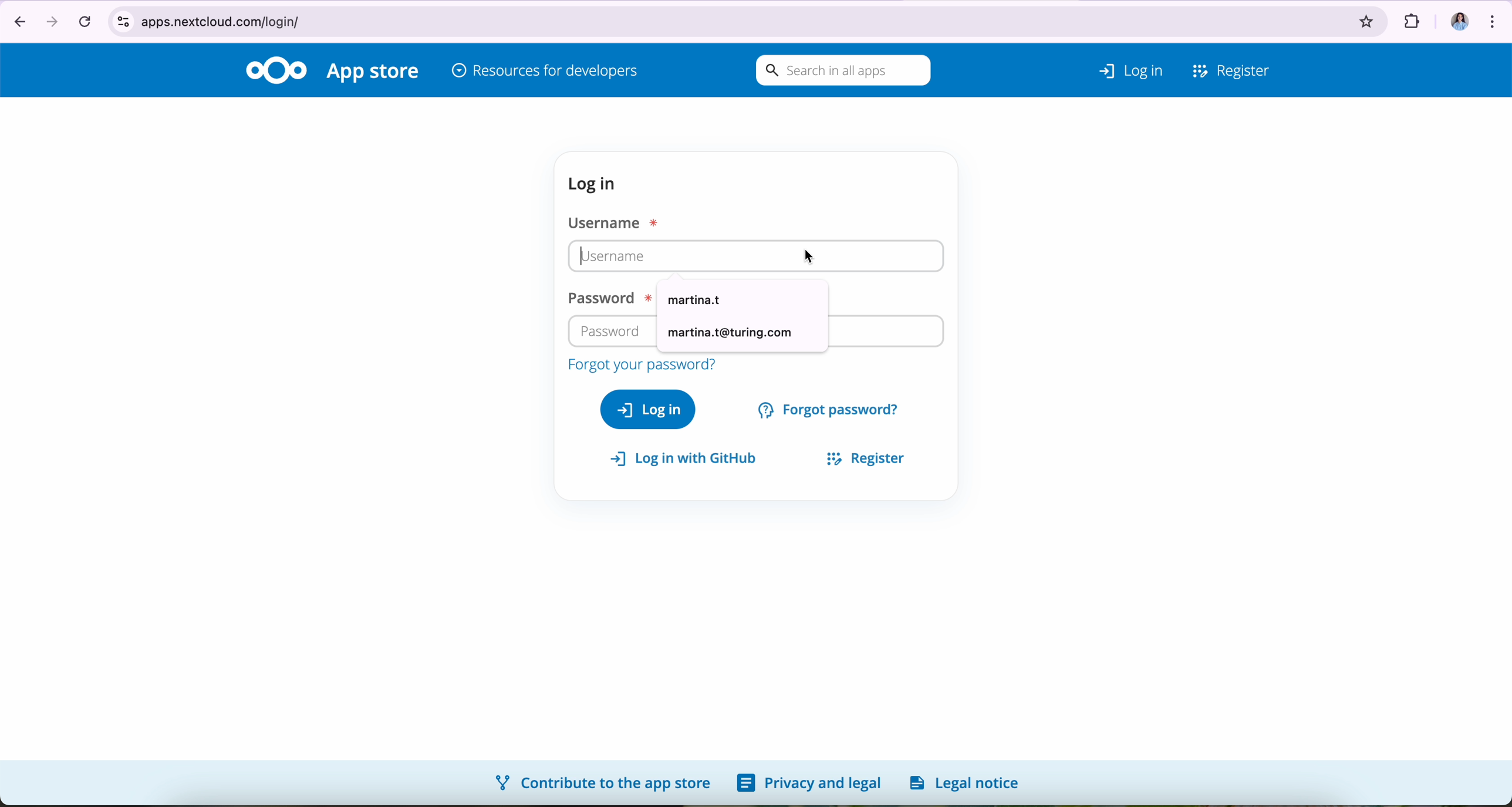 The height and width of the screenshot is (807, 1512). I want to click on search in all apps, so click(840, 71).